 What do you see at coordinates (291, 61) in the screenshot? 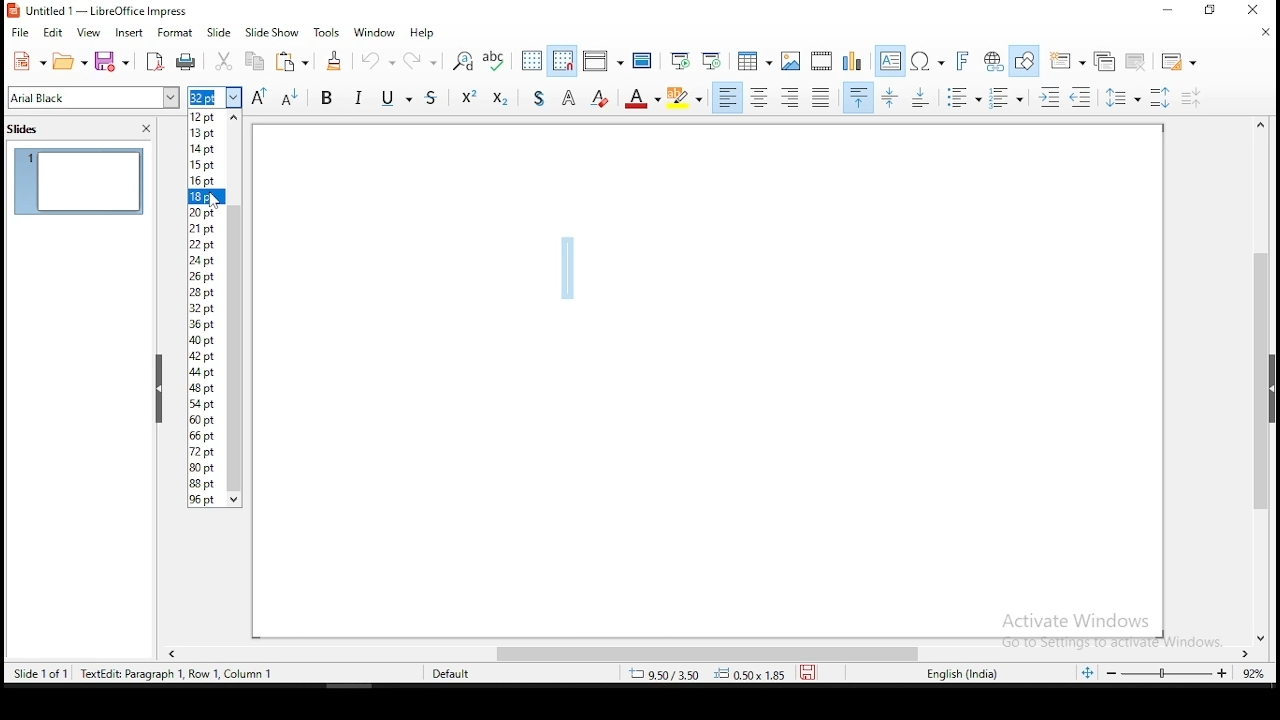
I see `paste` at bounding box center [291, 61].